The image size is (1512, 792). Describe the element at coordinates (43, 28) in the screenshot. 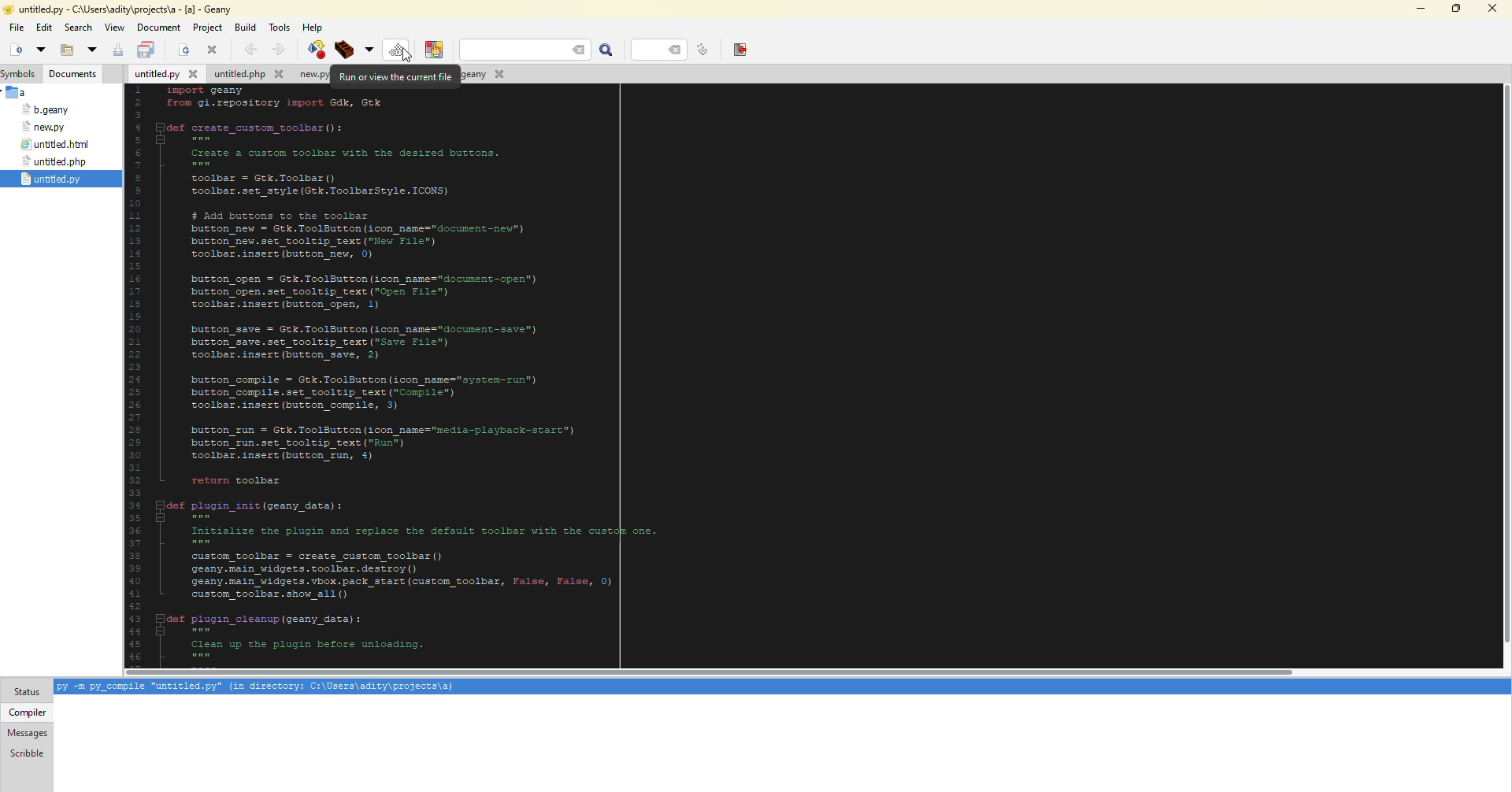

I see `edit` at that location.